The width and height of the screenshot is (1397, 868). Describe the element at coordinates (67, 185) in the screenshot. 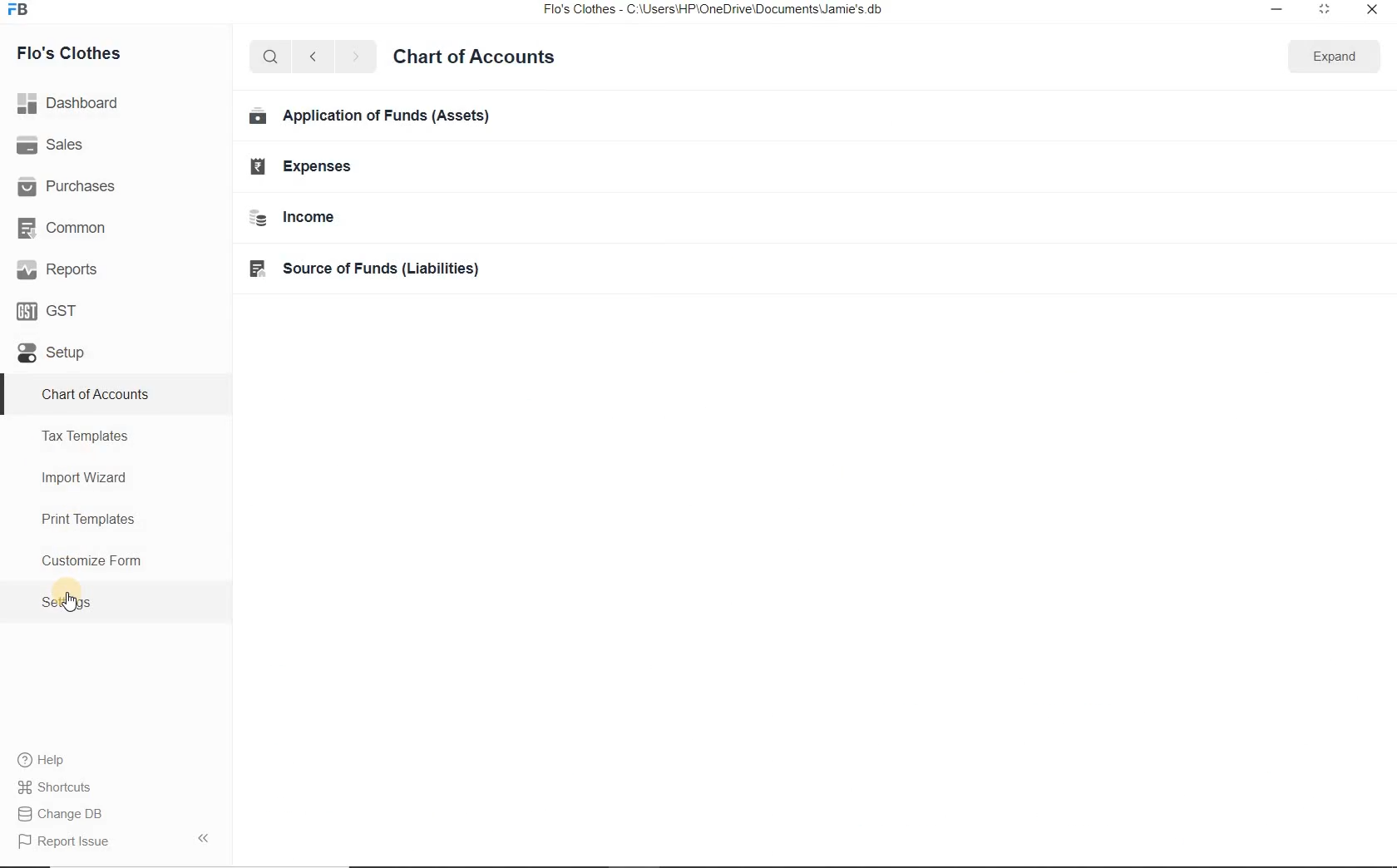

I see `Purchases` at that location.